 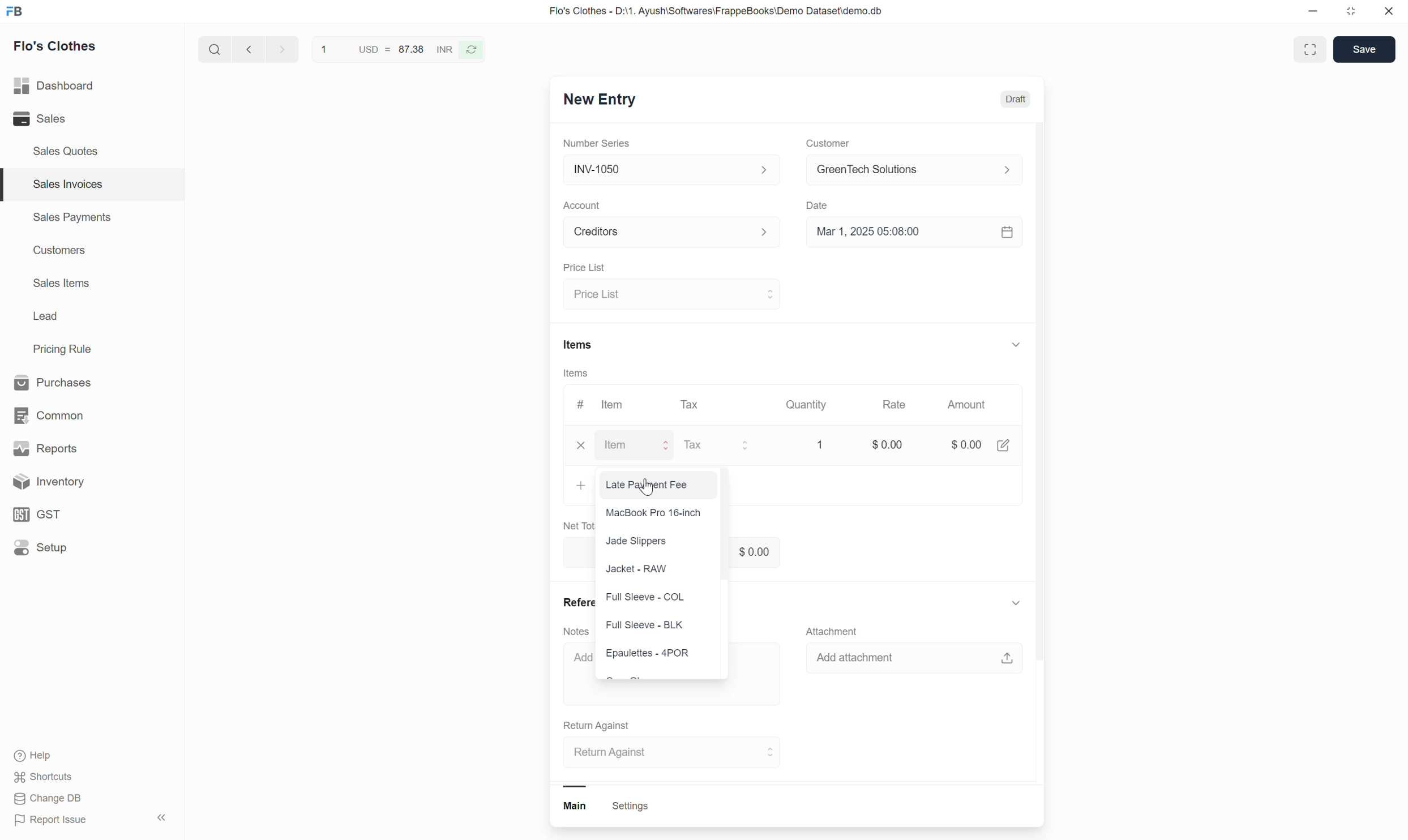 What do you see at coordinates (605, 725) in the screenshot?
I see `Return Against` at bounding box center [605, 725].